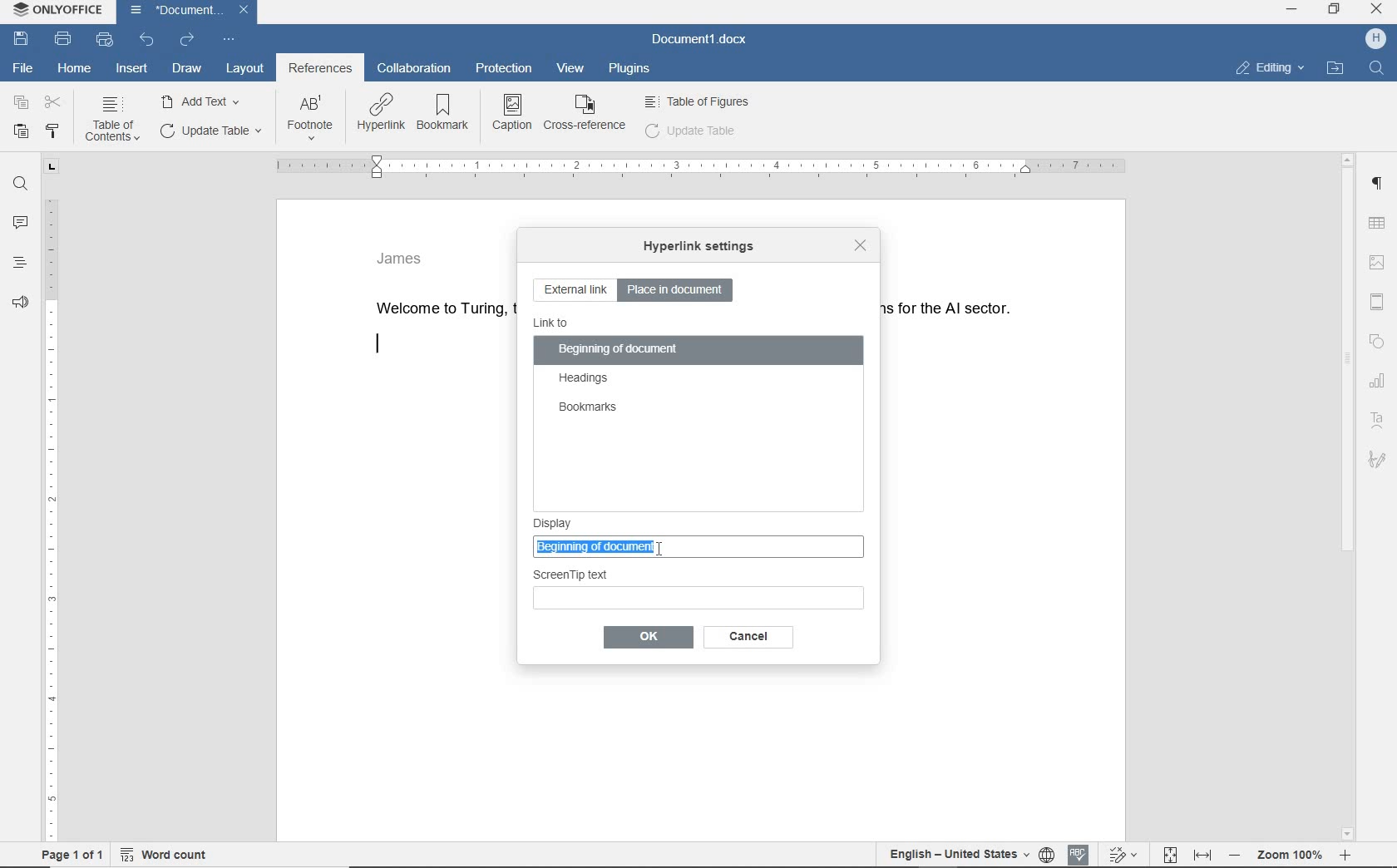 The image size is (1397, 868). What do you see at coordinates (1350, 856) in the screenshot?
I see `zoom in` at bounding box center [1350, 856].